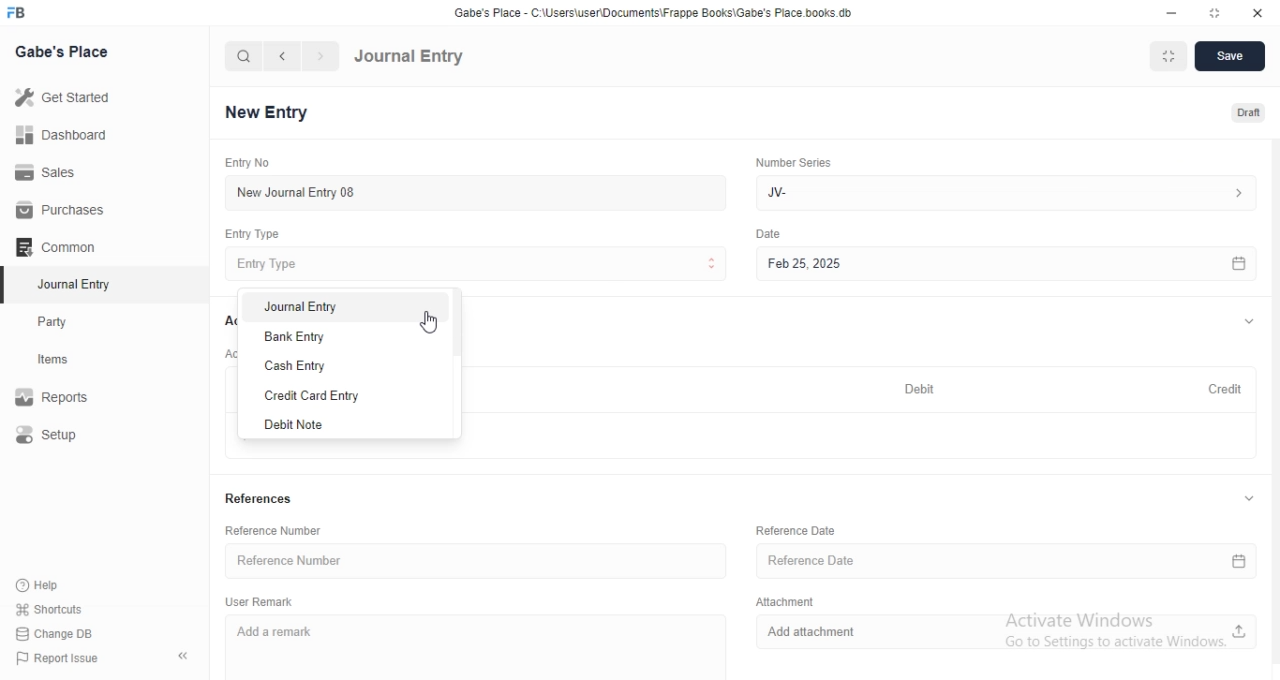  I want to click on Fit to Window, so click(1170, 56).